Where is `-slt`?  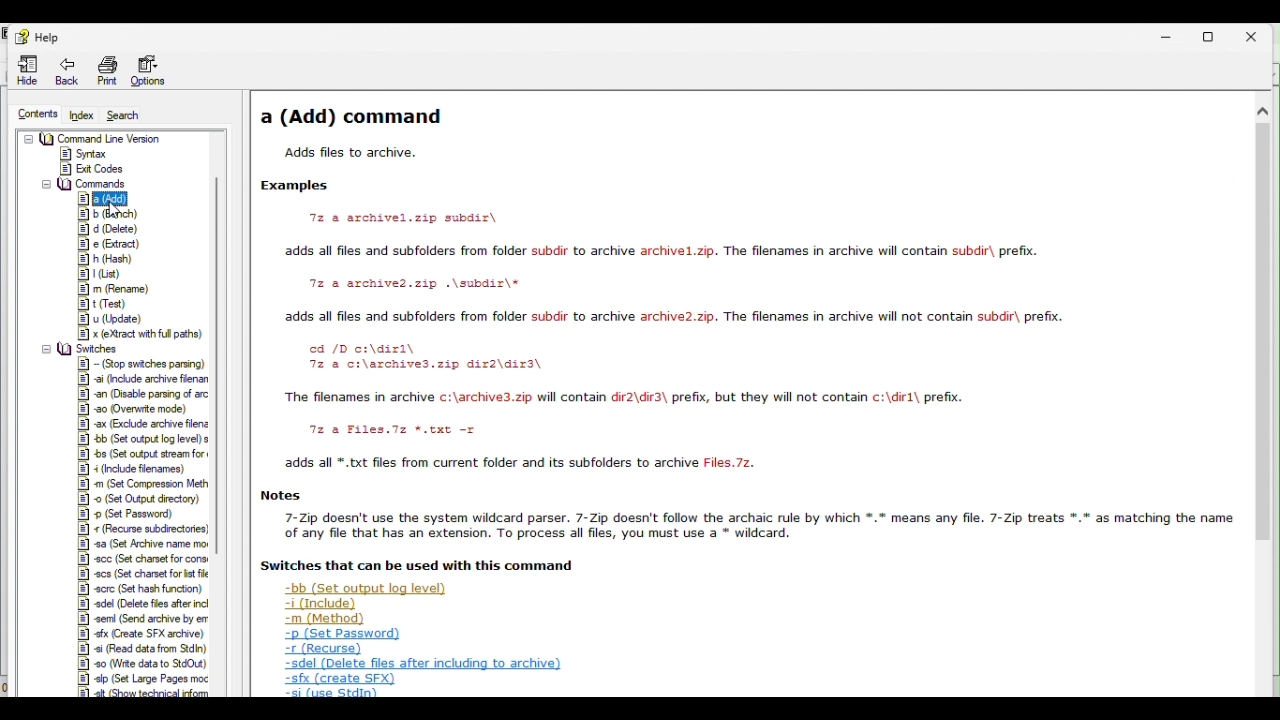 -slt is located at coordinates (144, 693).